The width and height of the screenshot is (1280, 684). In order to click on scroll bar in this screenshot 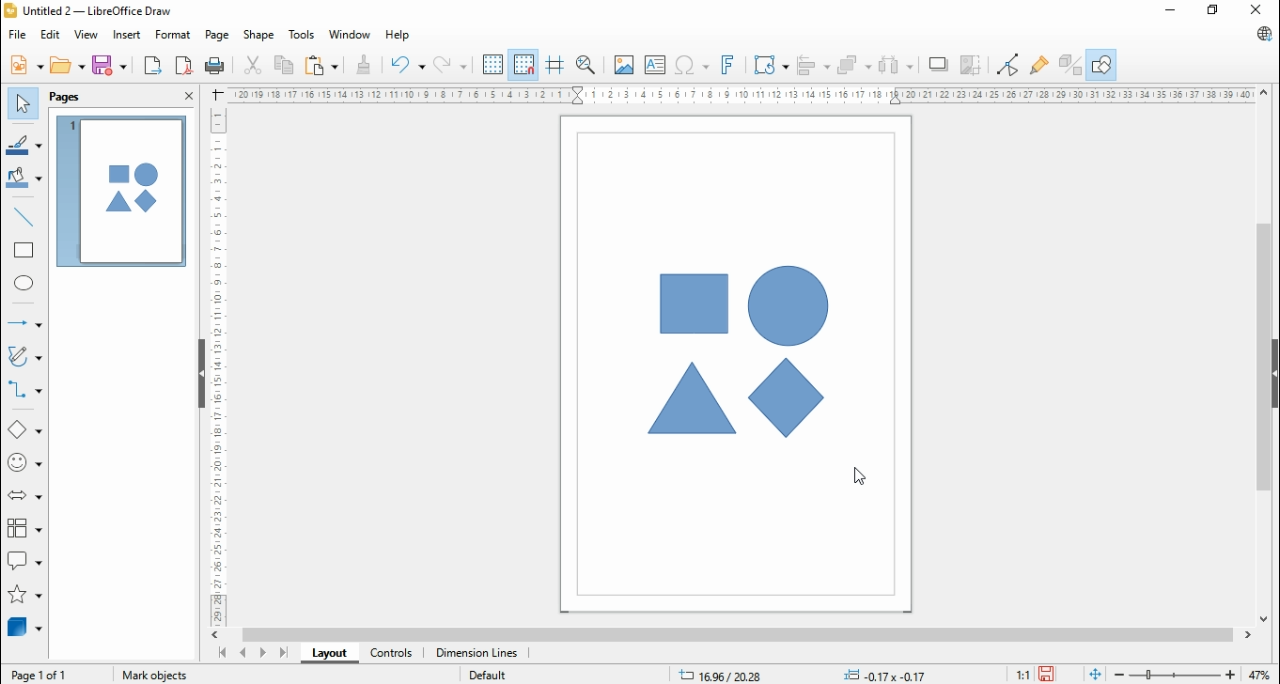, I will do `click(1264, 355)`.